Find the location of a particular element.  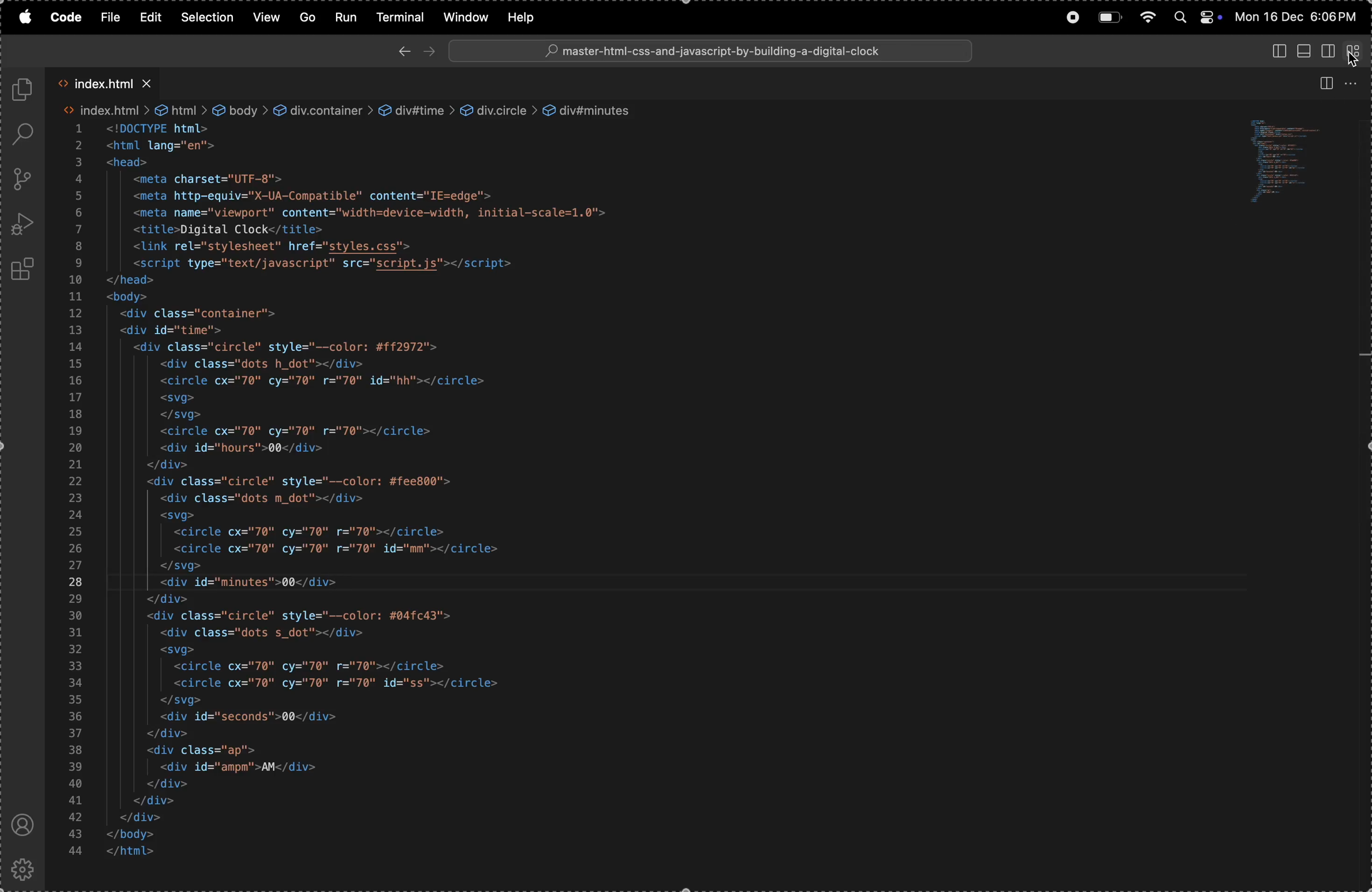

edit is located at coordinates (151, 18).